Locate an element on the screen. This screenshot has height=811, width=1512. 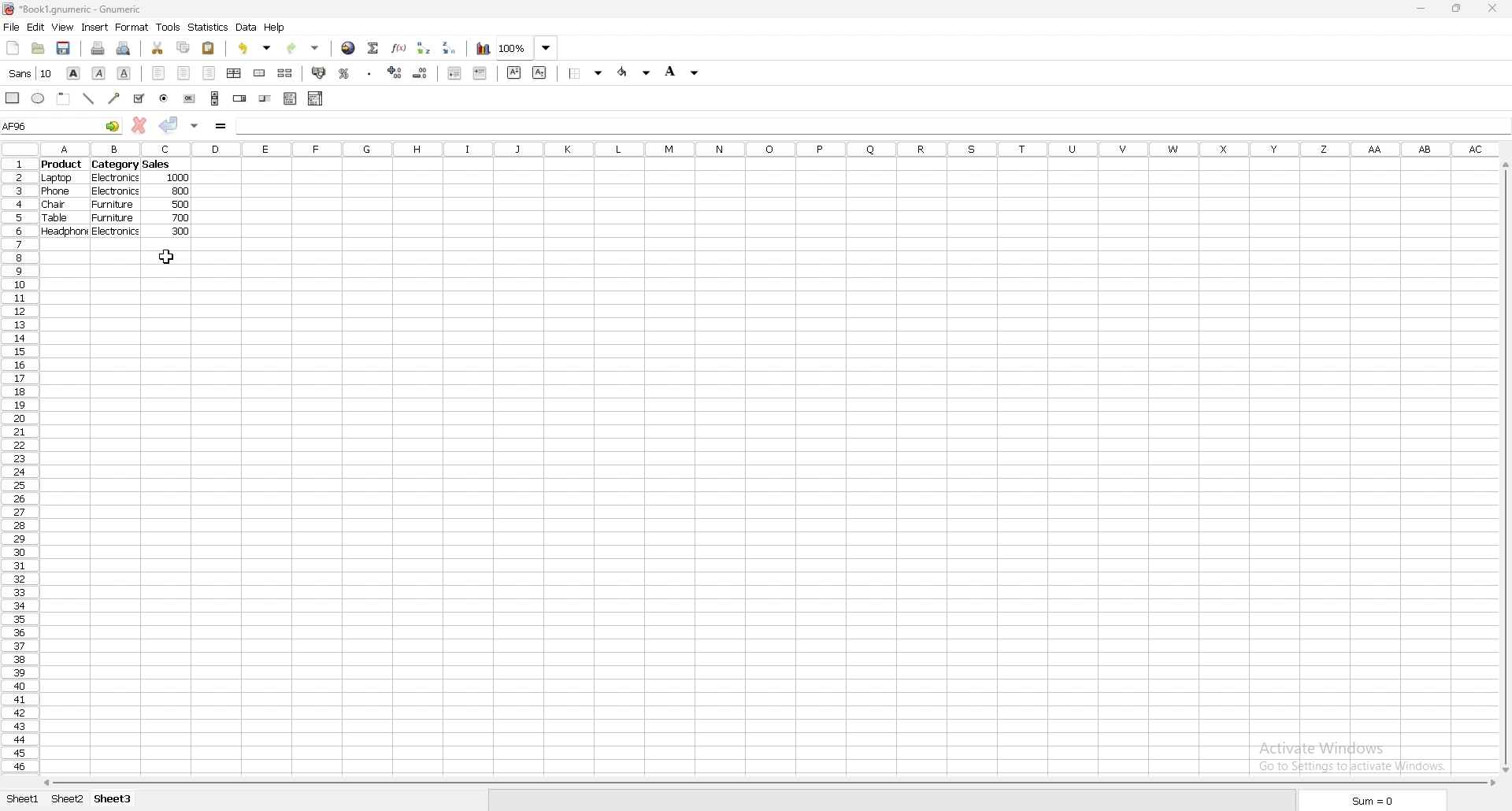
print is located at coordinates (98, 47).